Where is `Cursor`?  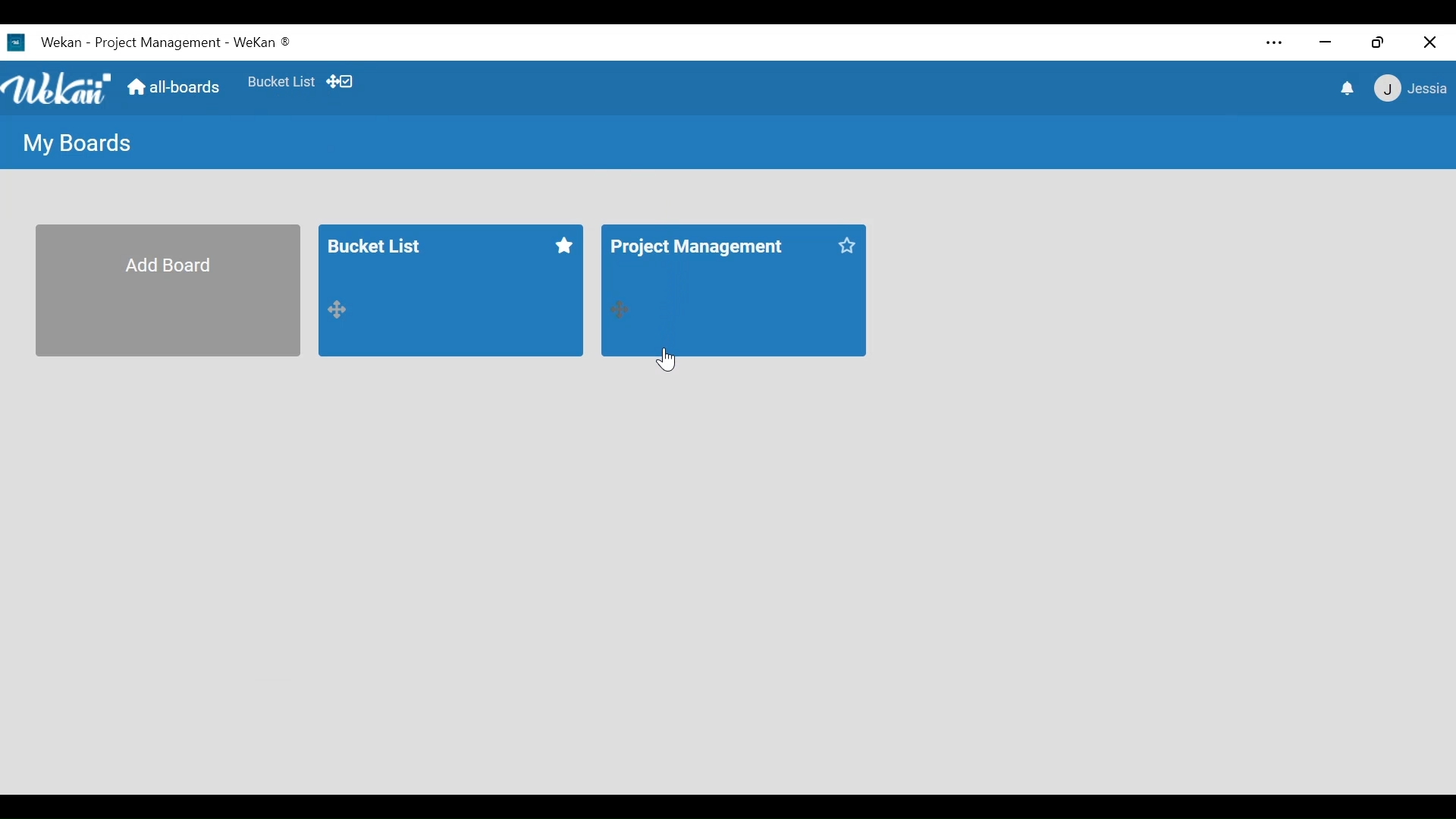 Cursor is located at coordinates (668, 359).